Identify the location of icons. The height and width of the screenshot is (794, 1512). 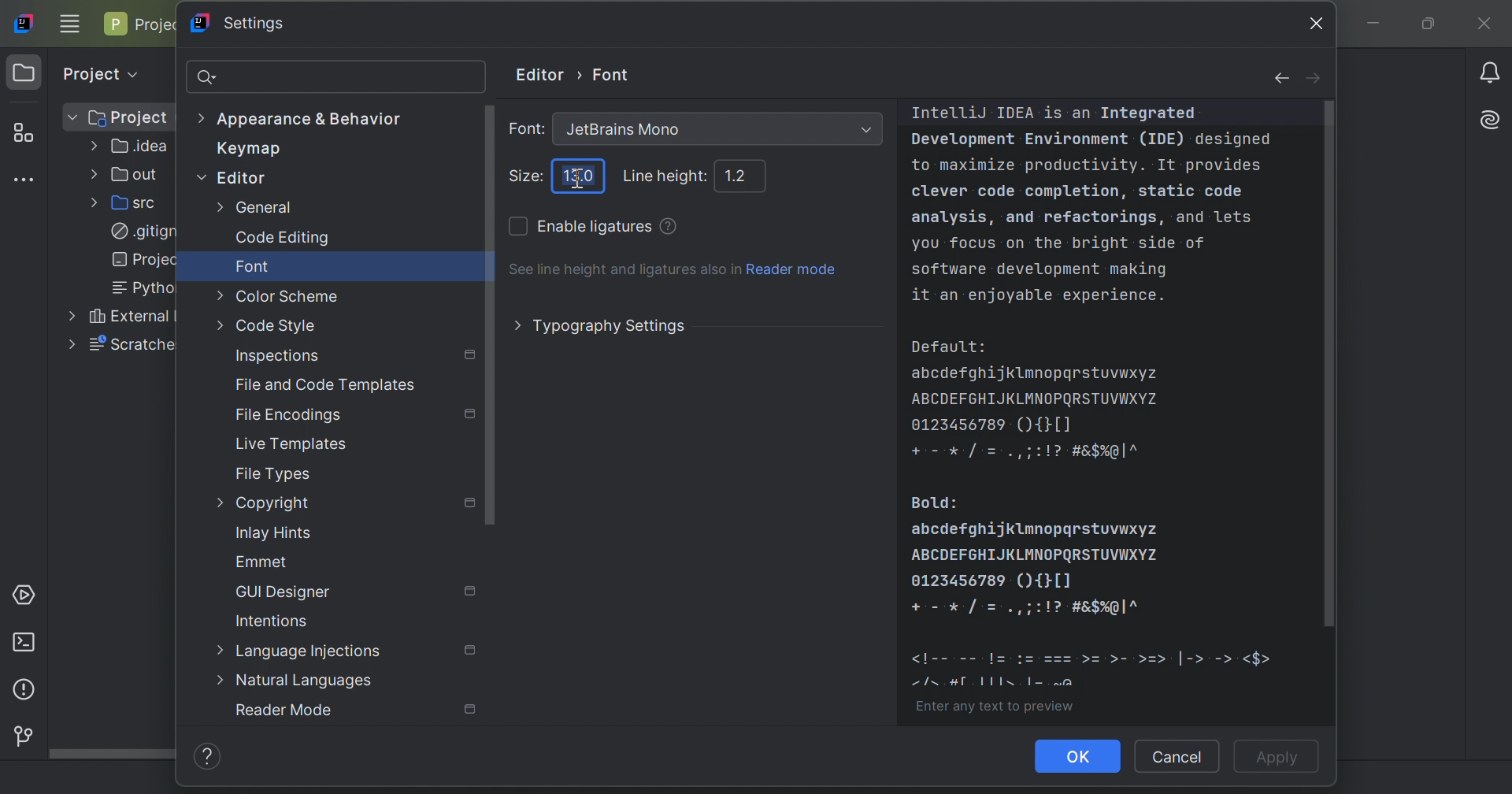
(1029, 609).